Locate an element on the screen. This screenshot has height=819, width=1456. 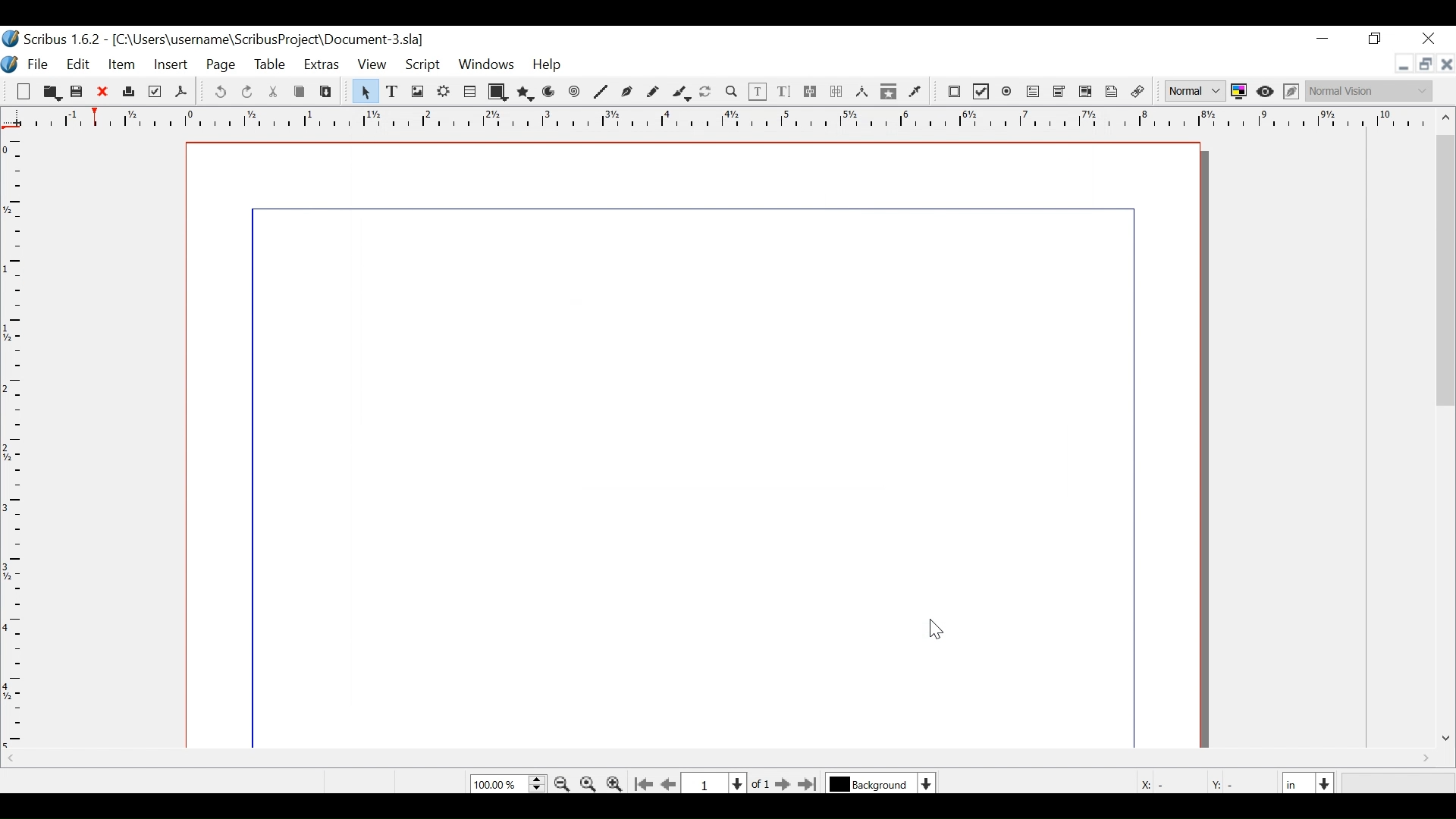
Go to previous page is located at coordinates (670, 784).